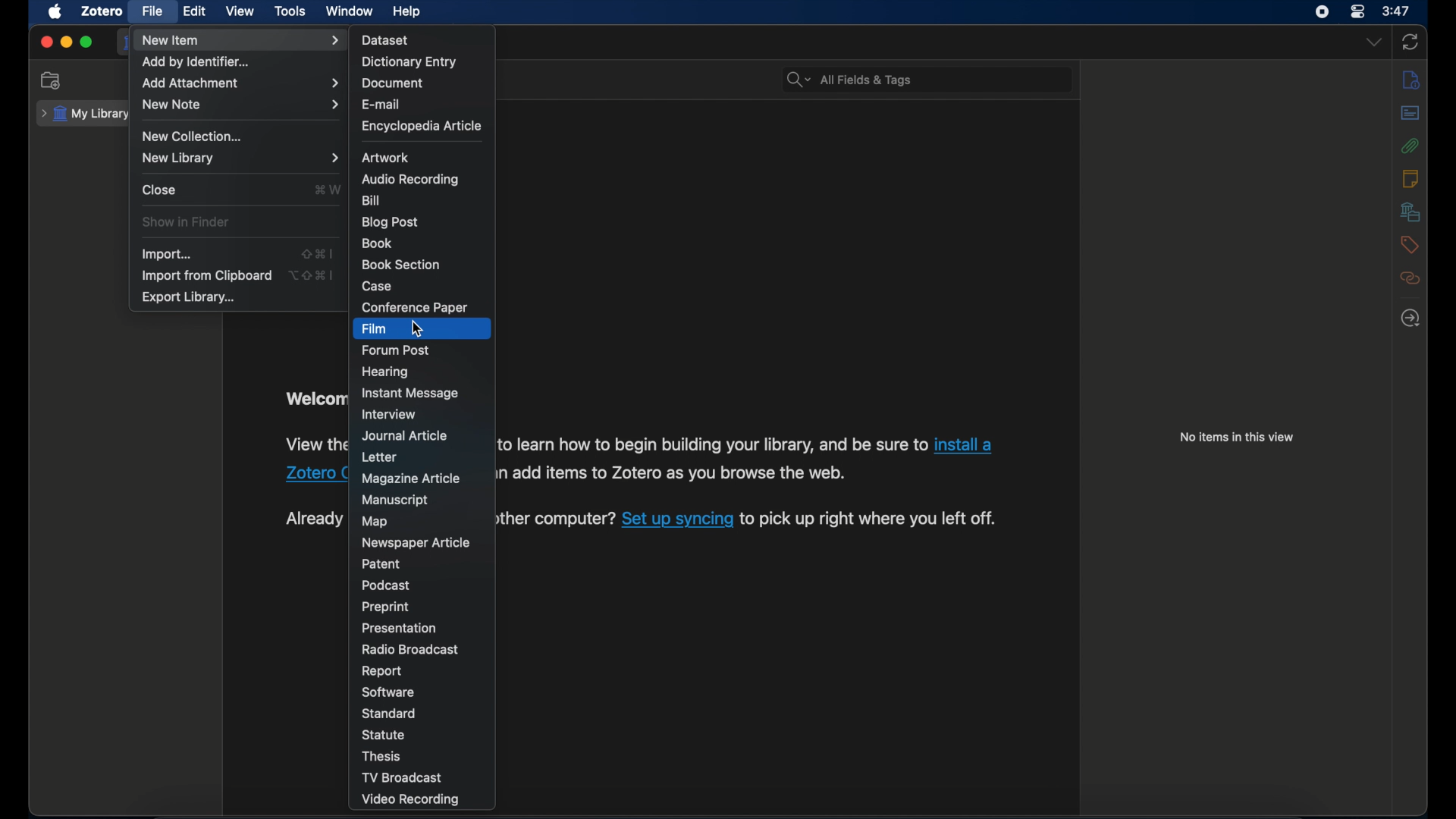  I want to click on dropdown, so click(1373, 43).